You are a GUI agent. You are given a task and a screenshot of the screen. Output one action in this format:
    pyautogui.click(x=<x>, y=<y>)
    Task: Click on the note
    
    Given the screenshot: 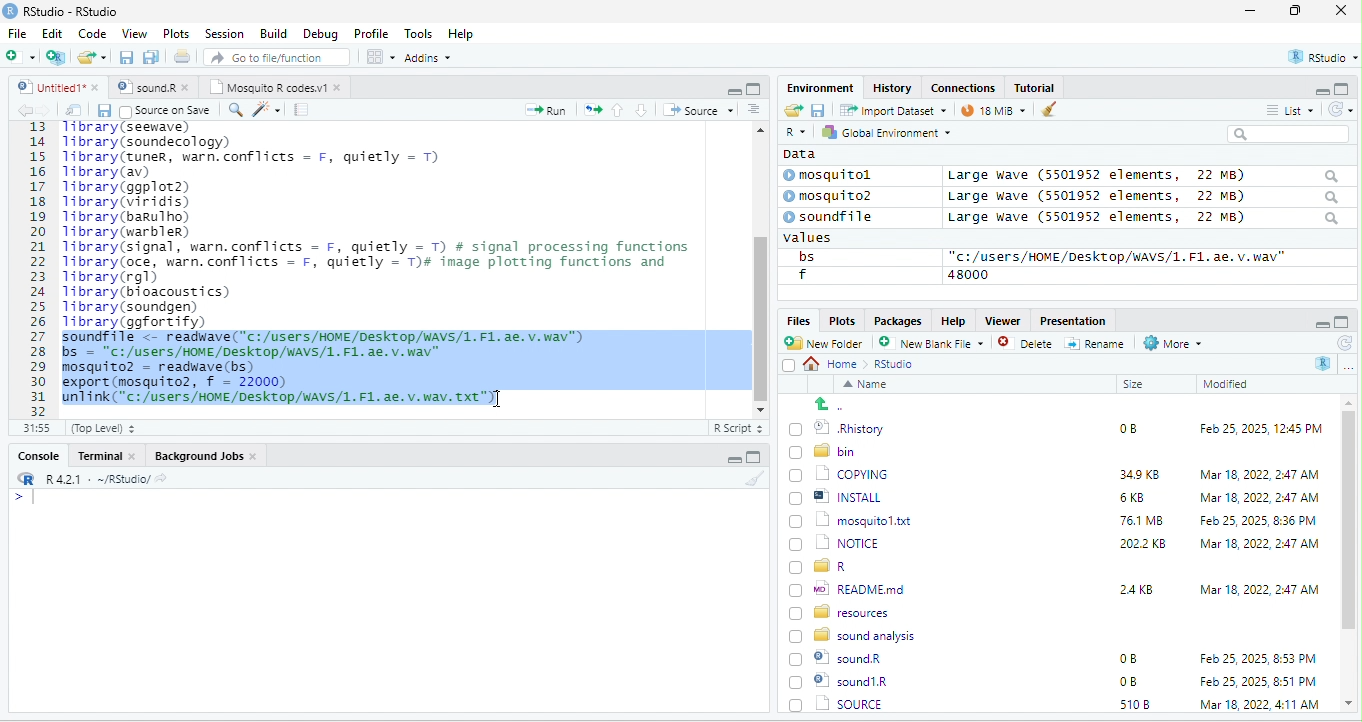 What is the action you would take?
    pyautogui.click(x=302, y=109)
    